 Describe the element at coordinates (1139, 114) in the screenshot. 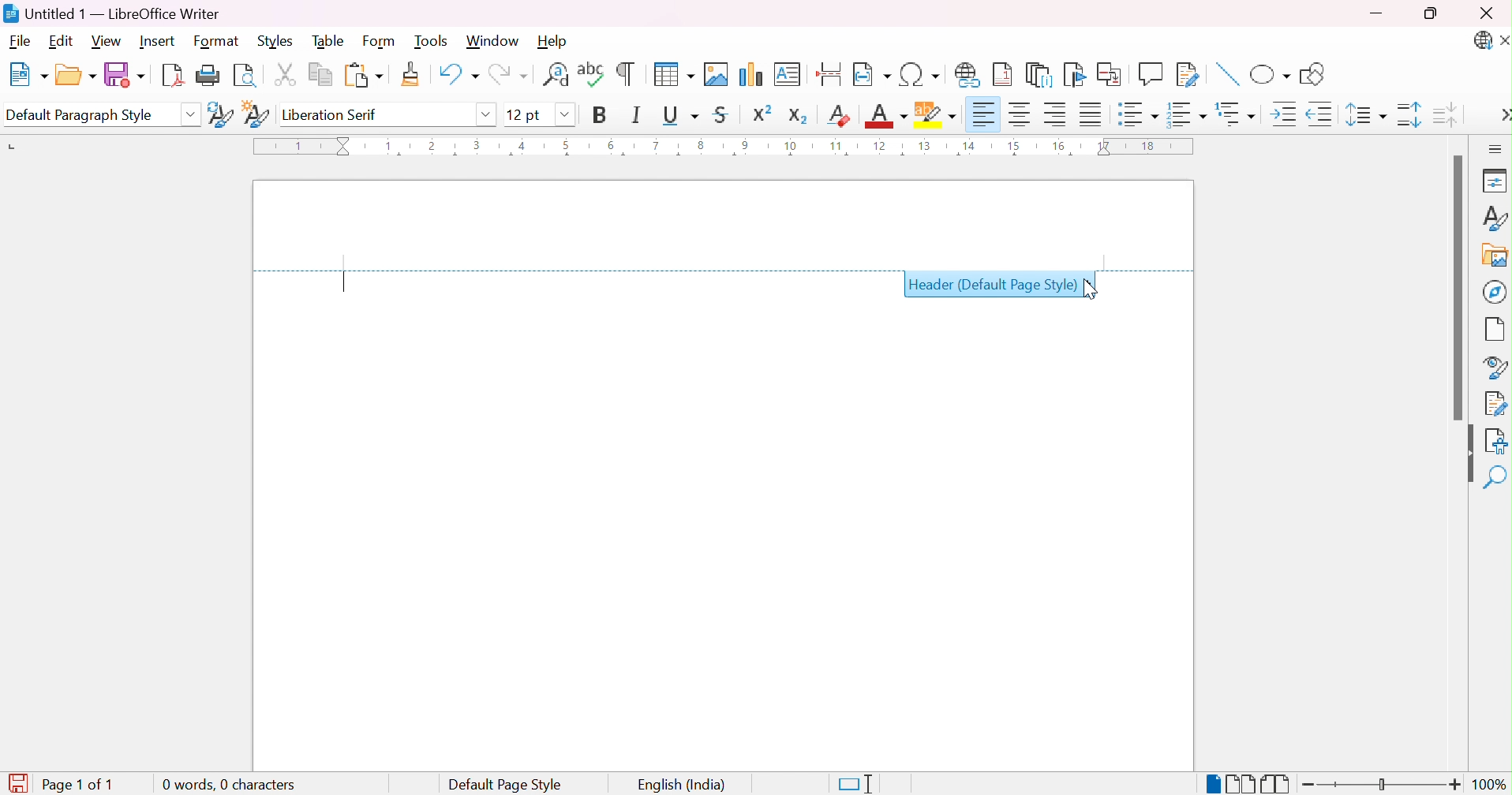

I see `Toggle unordered list` at that location.